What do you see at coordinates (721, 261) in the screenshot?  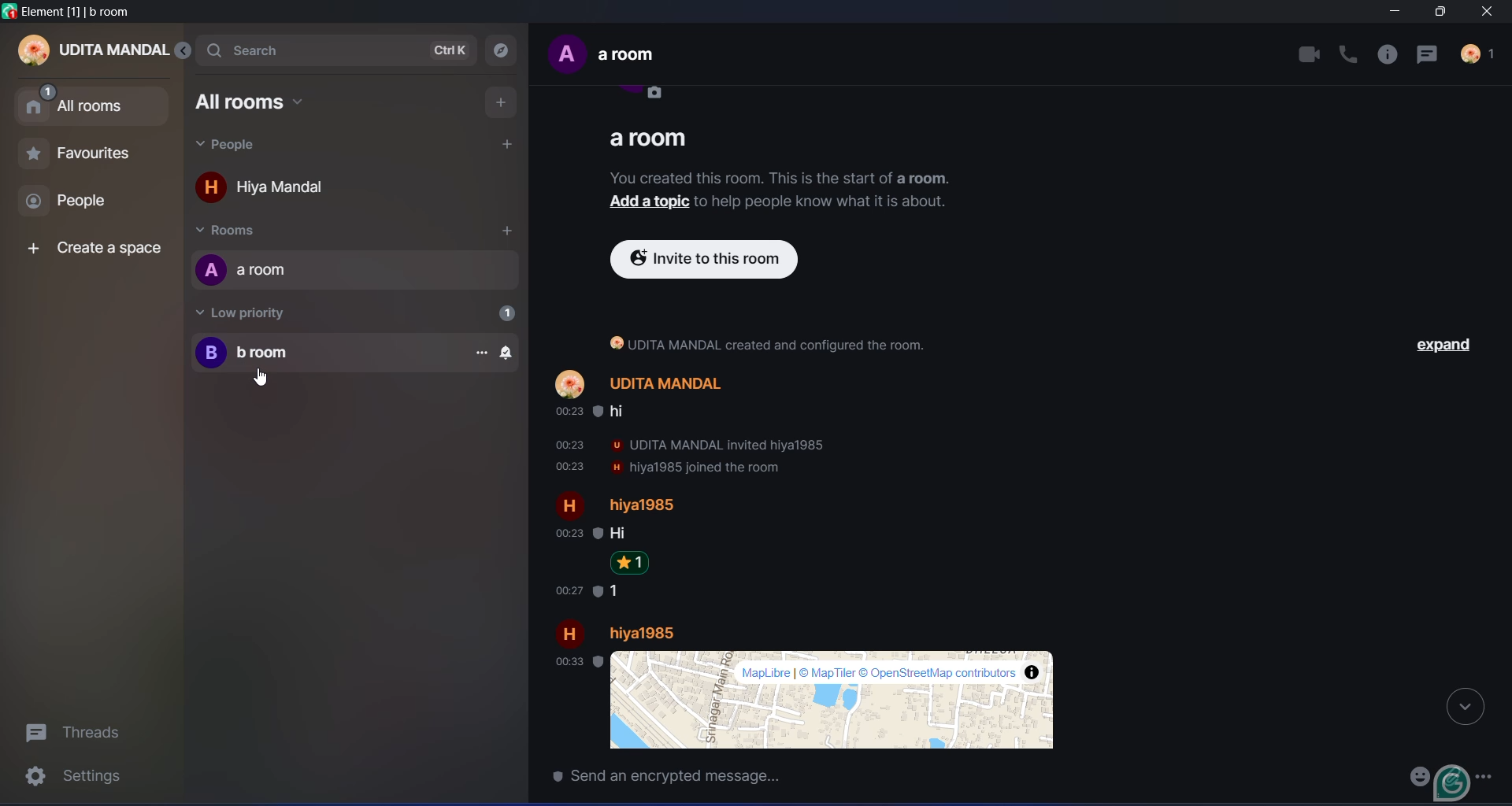 I see `& Invite to this room` at bounding box center [721, 261].